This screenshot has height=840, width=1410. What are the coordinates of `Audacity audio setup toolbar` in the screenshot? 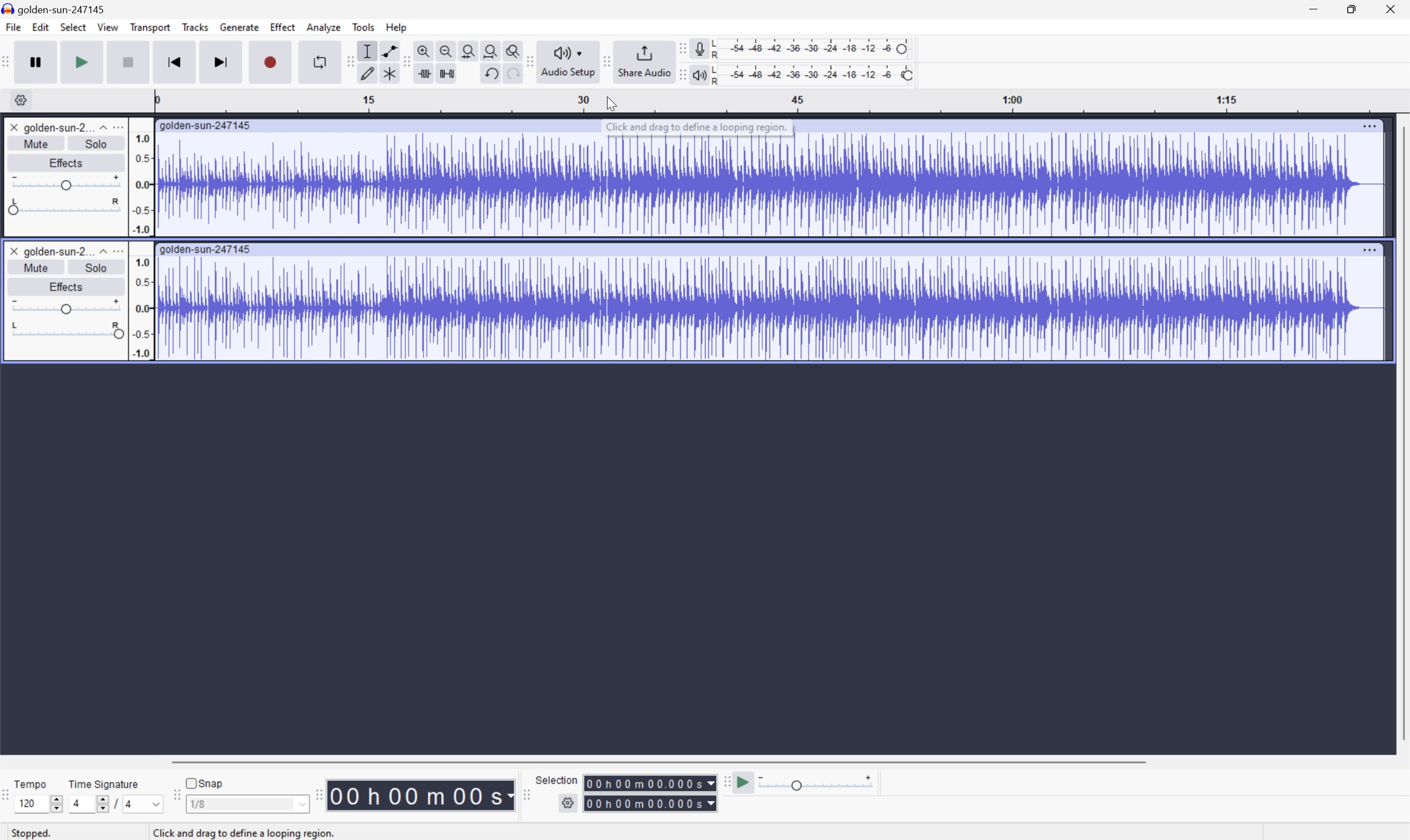 It's located at (528, 61).